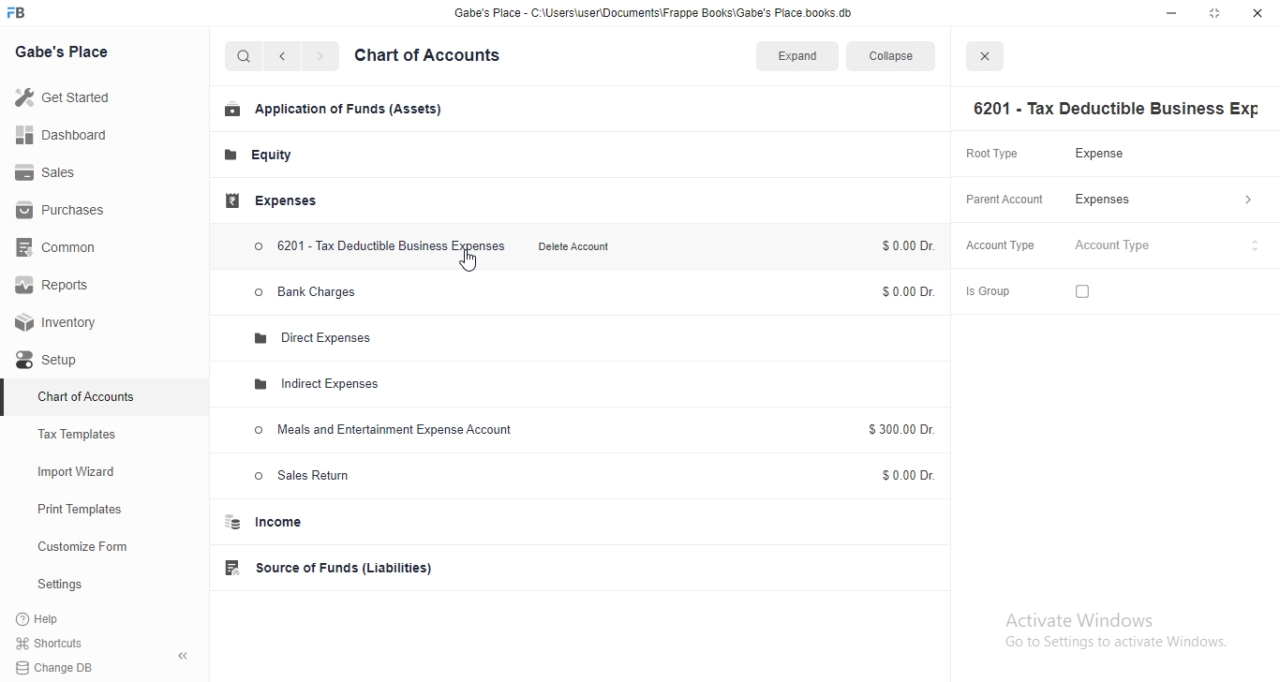  I want to click on Application of Funds (Assets), so click(332, 111).